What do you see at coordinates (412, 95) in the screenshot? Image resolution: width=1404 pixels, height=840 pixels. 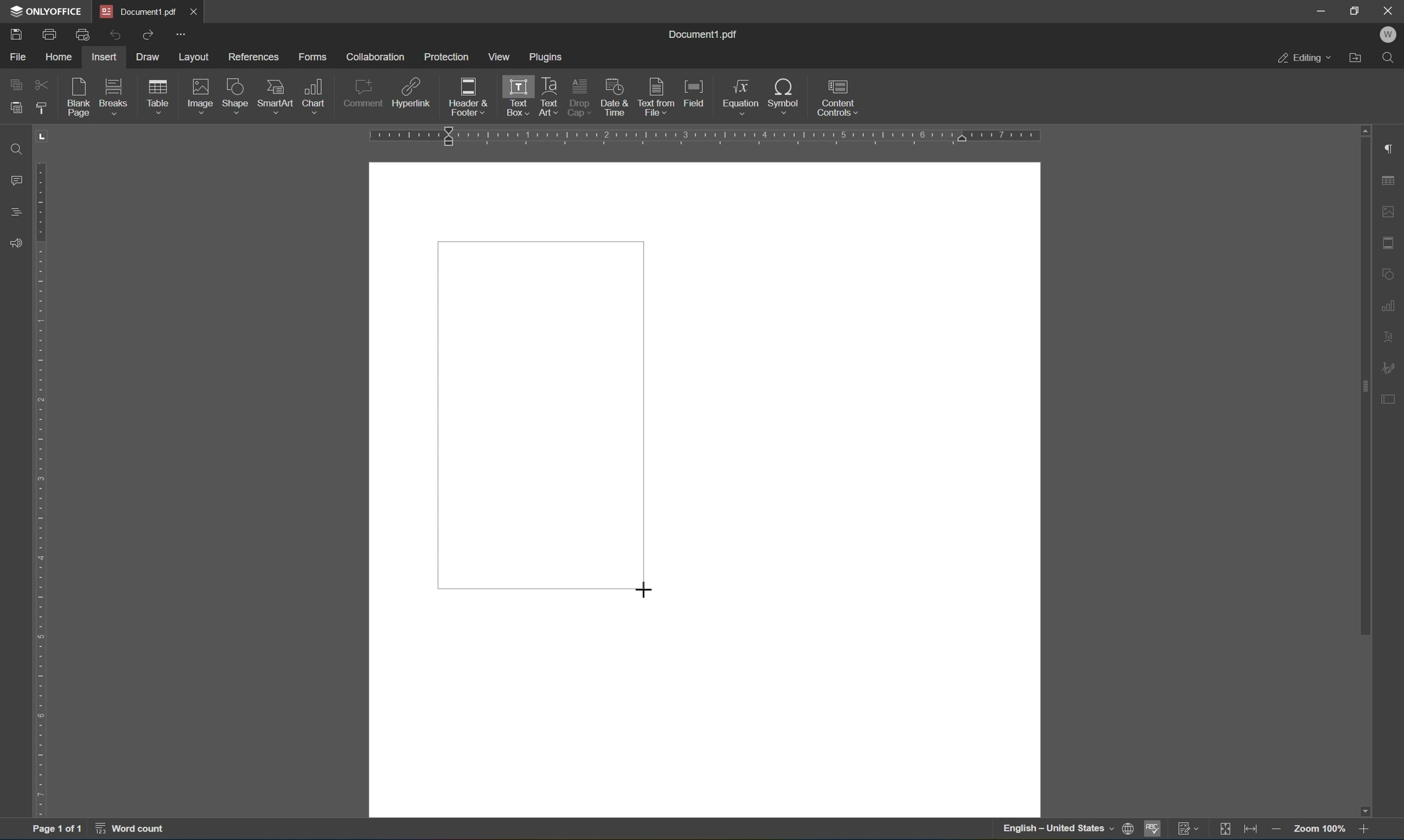 I see `hyperlink` at bounding box center [412, 95].